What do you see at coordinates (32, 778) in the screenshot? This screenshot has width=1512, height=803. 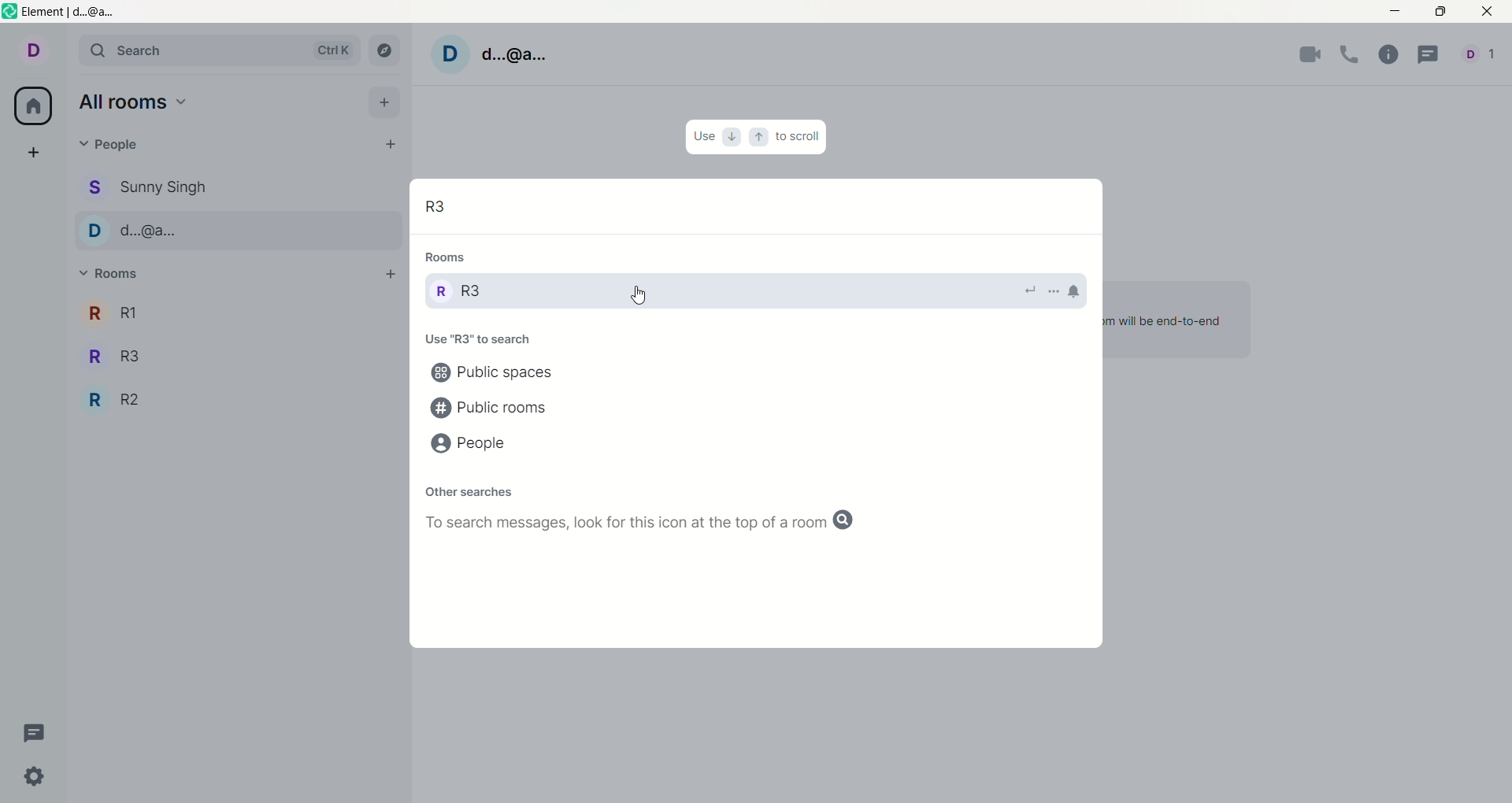 I see `settings` at bounding box center [32, 778].